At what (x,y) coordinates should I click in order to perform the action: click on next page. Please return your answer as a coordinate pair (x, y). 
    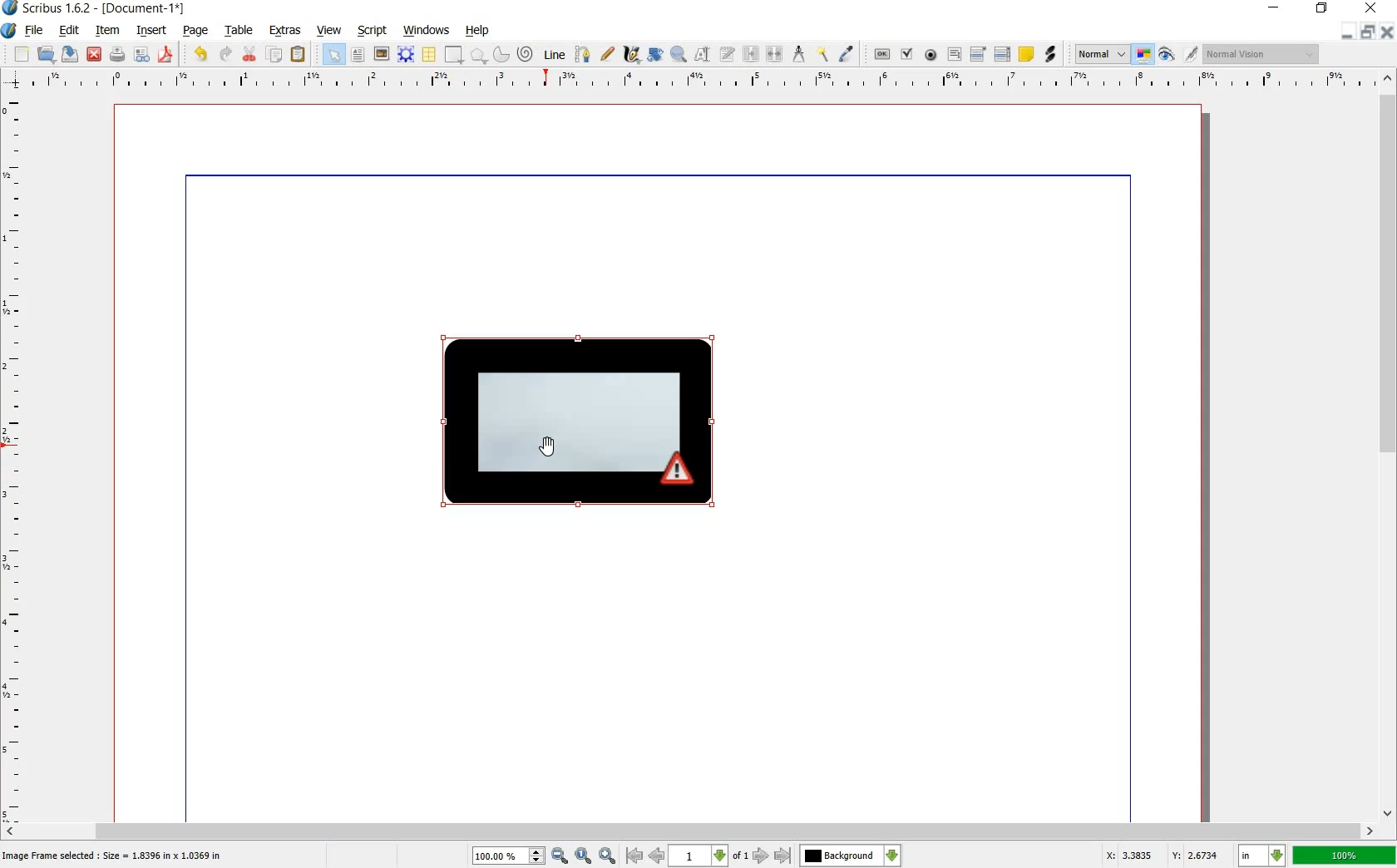
    Looking at the image, I should click on (759, 856).